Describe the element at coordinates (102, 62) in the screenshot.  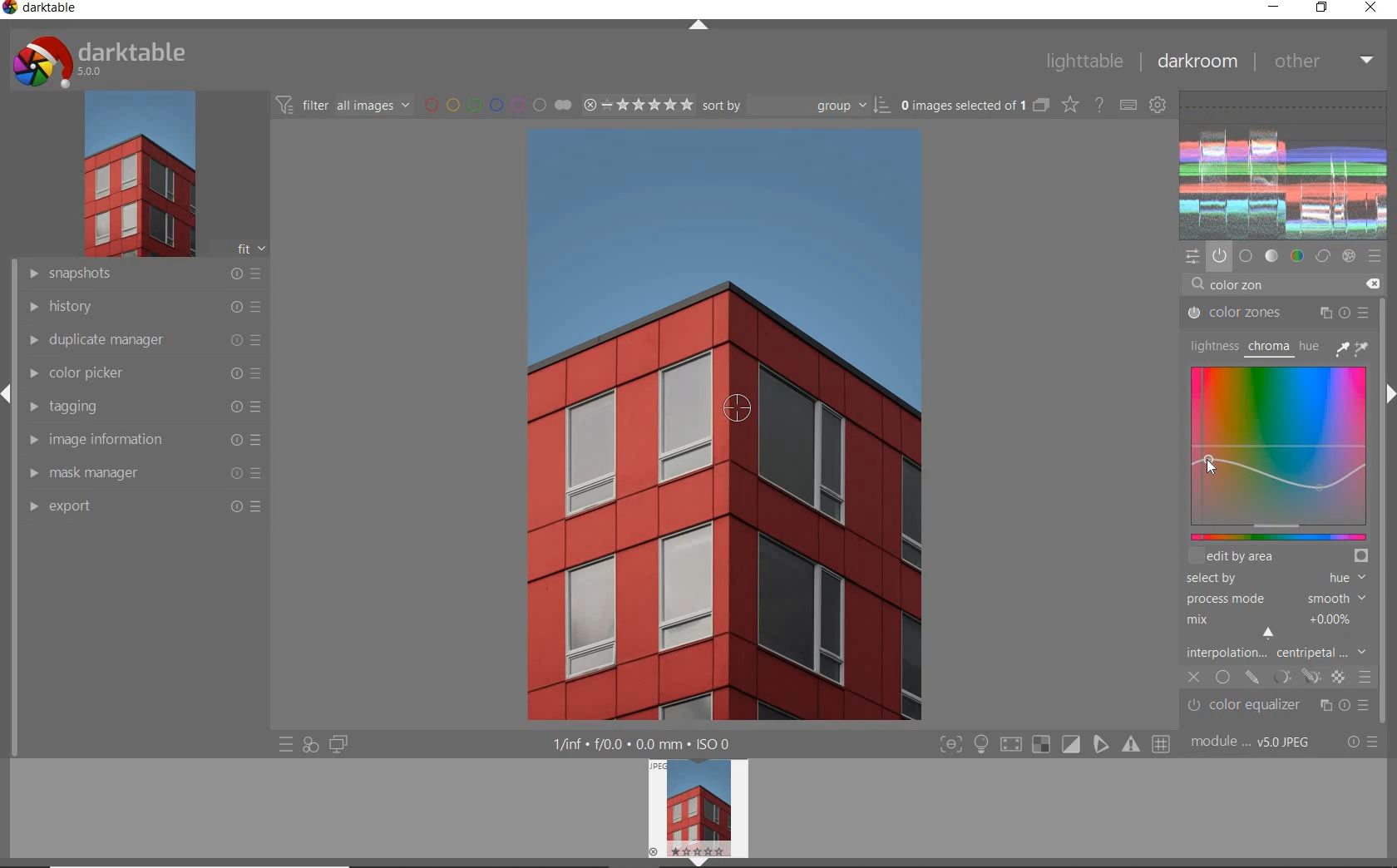
I see `system logo & name` at that location.